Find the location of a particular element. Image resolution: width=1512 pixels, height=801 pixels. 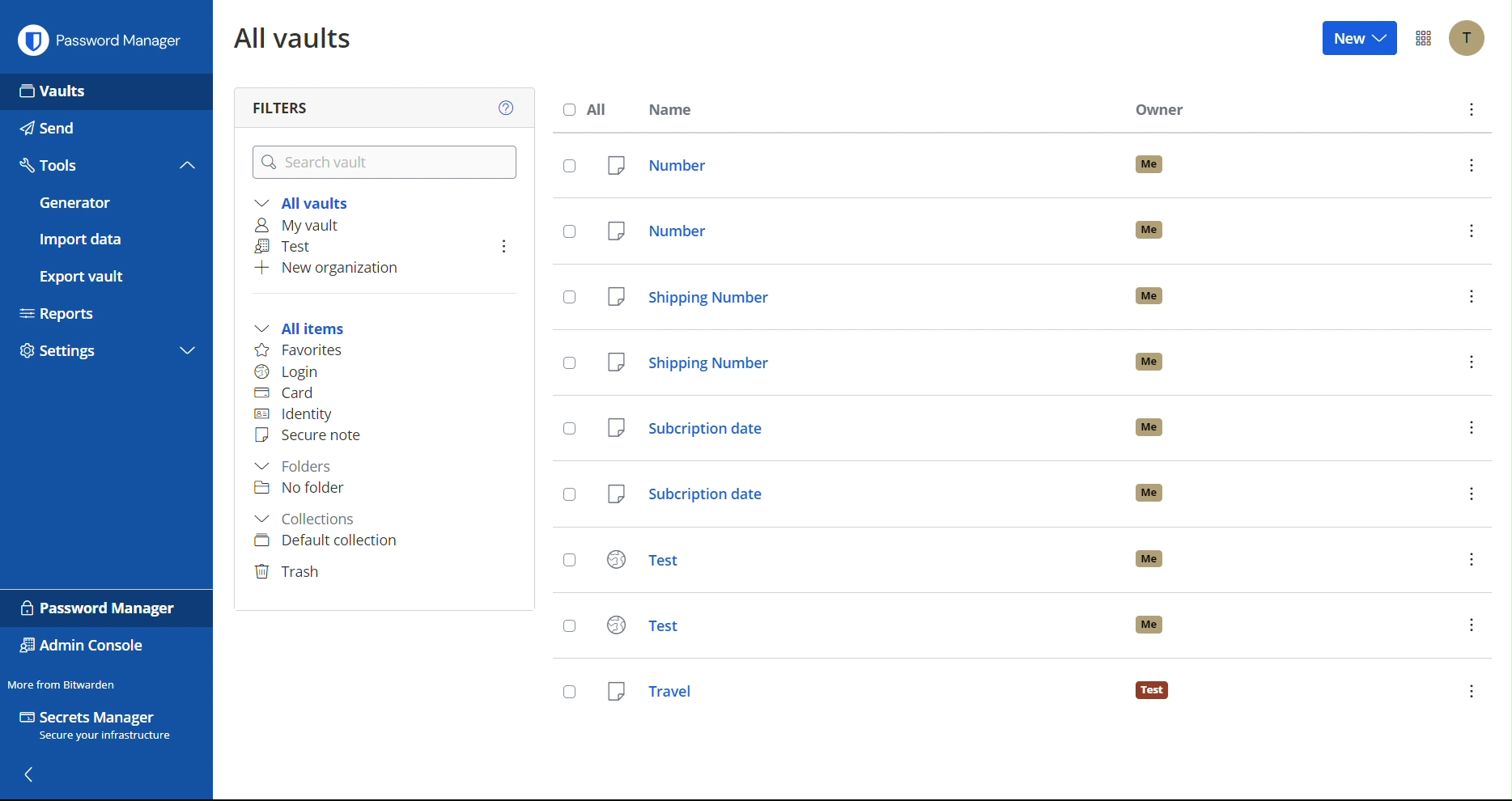

select entry is located at coordinates (567, 425).